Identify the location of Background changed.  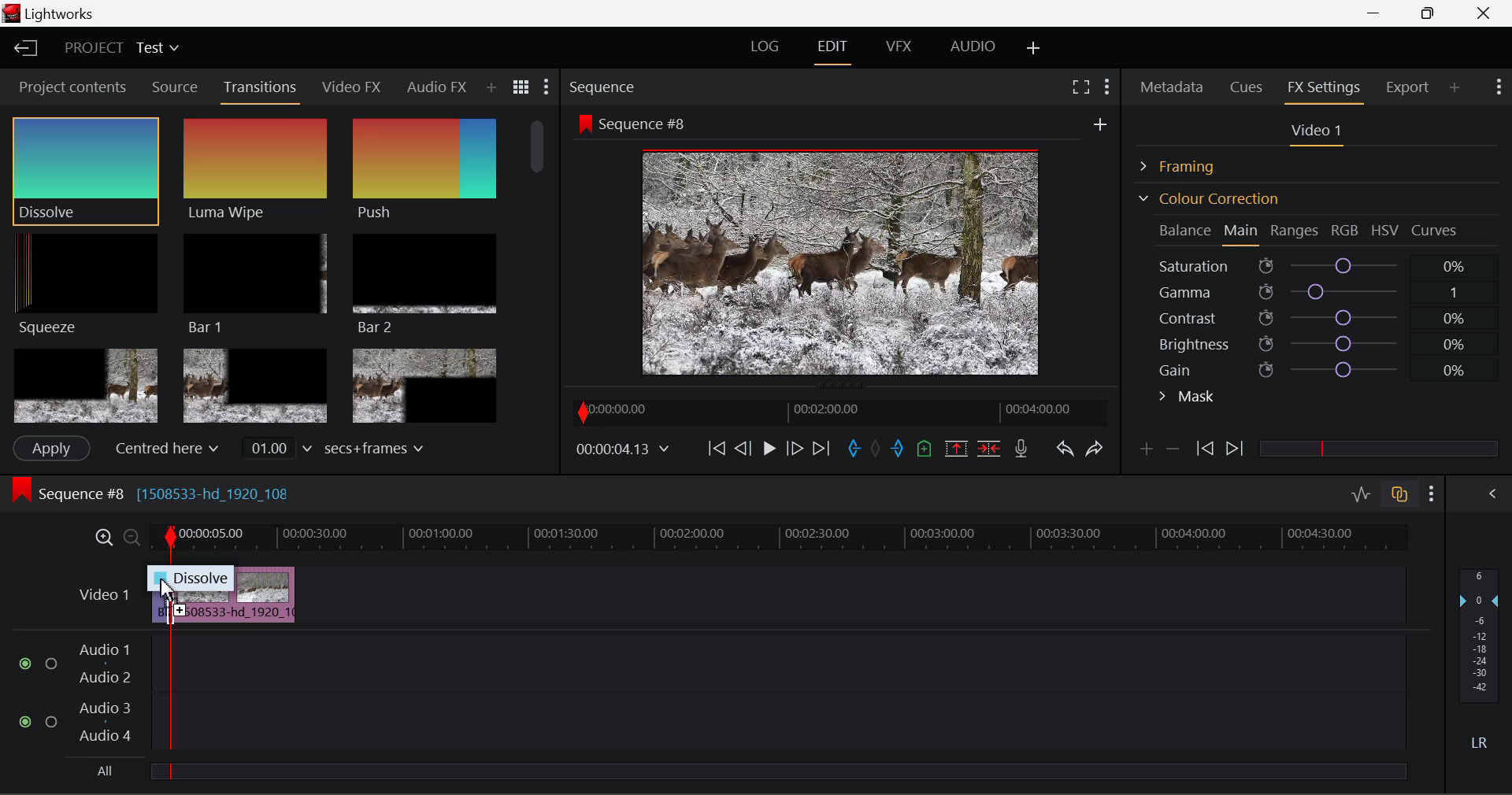
(845, 248).